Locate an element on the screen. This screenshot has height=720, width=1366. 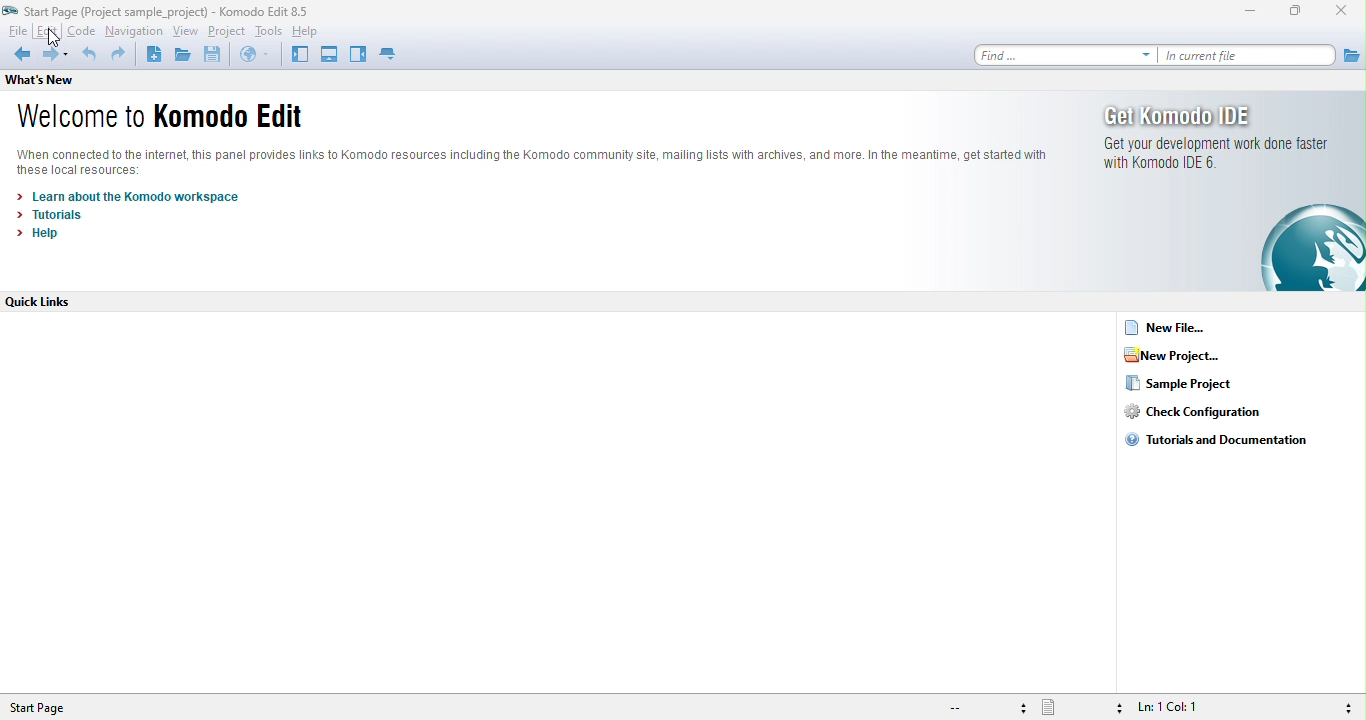
logo is located at coordinates (1311, 252).